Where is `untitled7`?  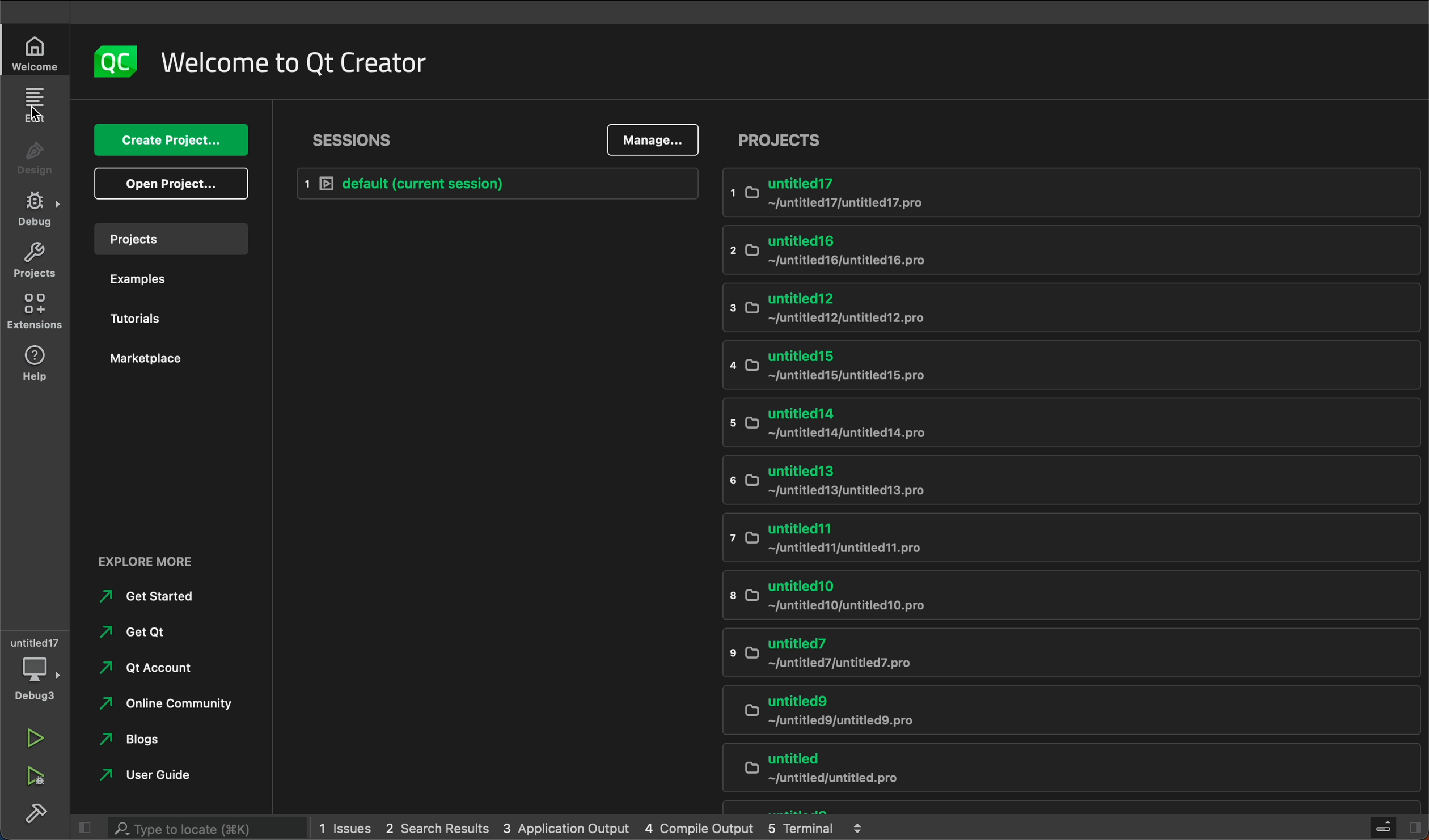
untitled7 is located at coordinates (1052, 654).